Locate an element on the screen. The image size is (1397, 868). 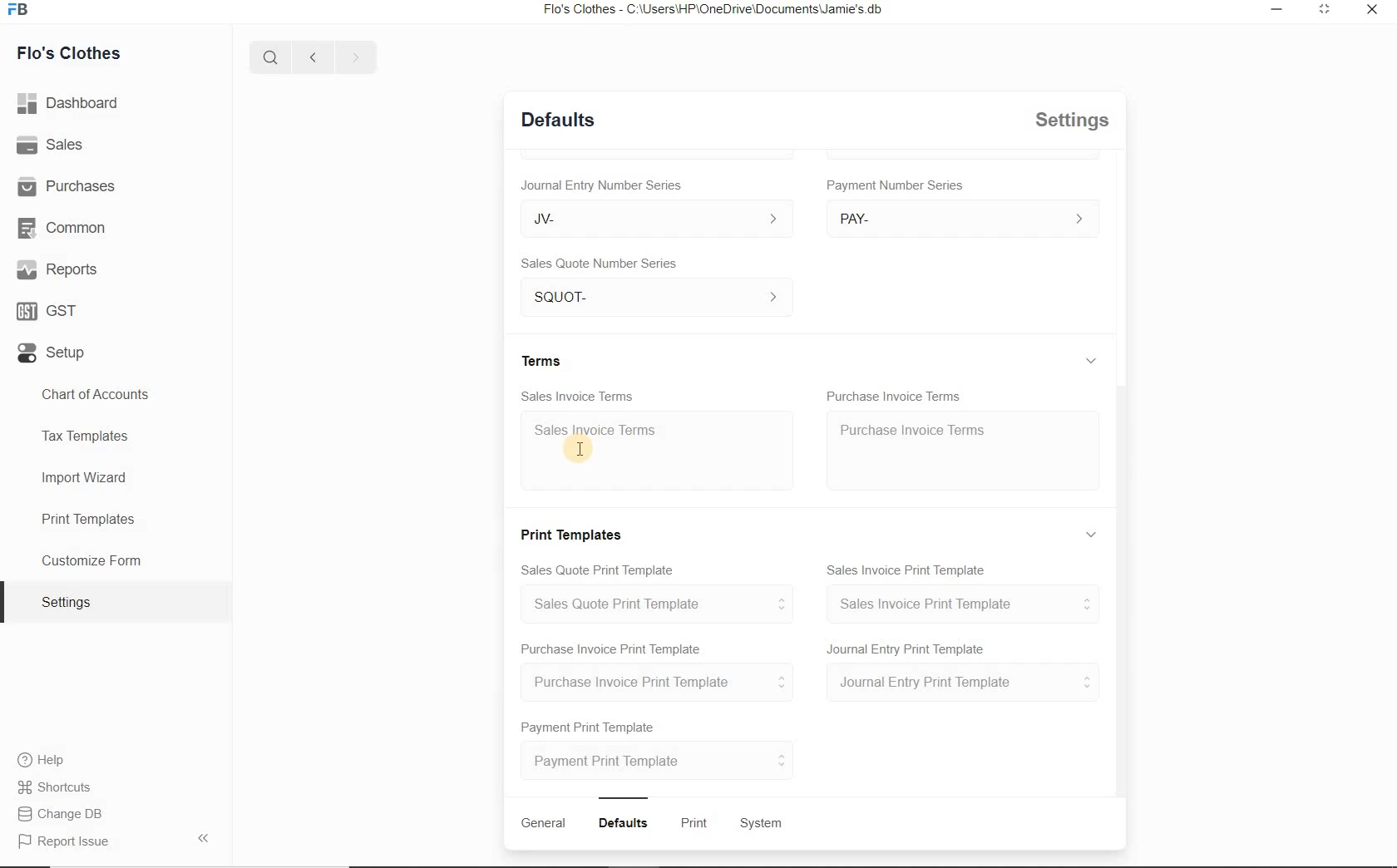
Expand is located at coordinates (1094, 534).